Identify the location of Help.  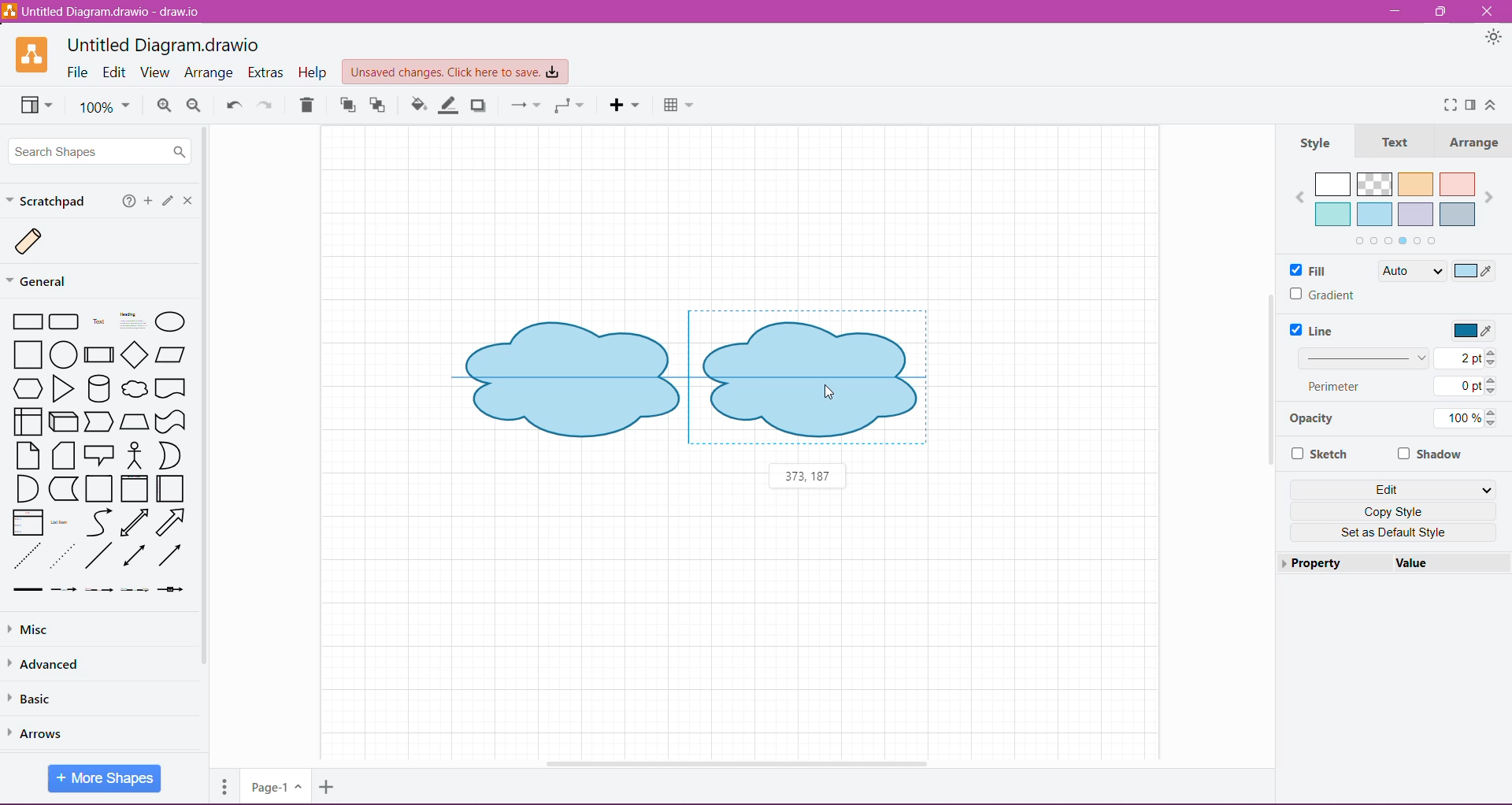
(314, 73).